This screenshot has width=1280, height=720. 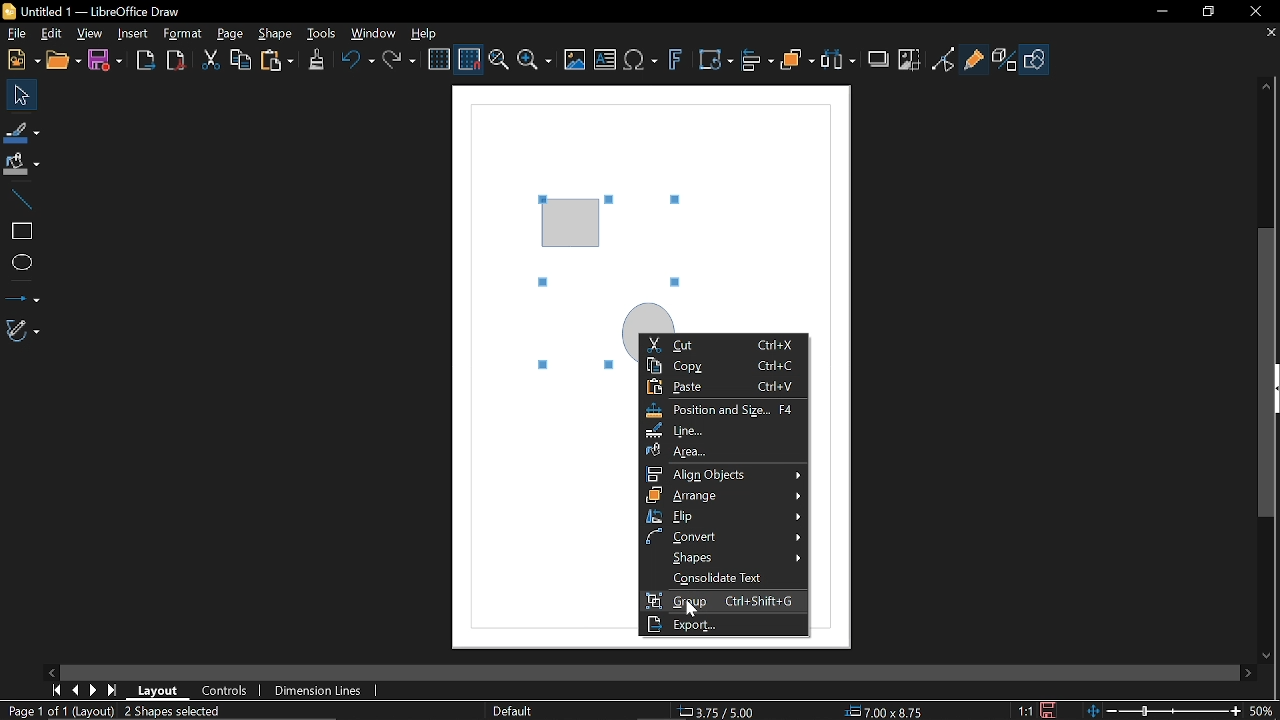 I want to click on Clone, so click(x=318, y=61).